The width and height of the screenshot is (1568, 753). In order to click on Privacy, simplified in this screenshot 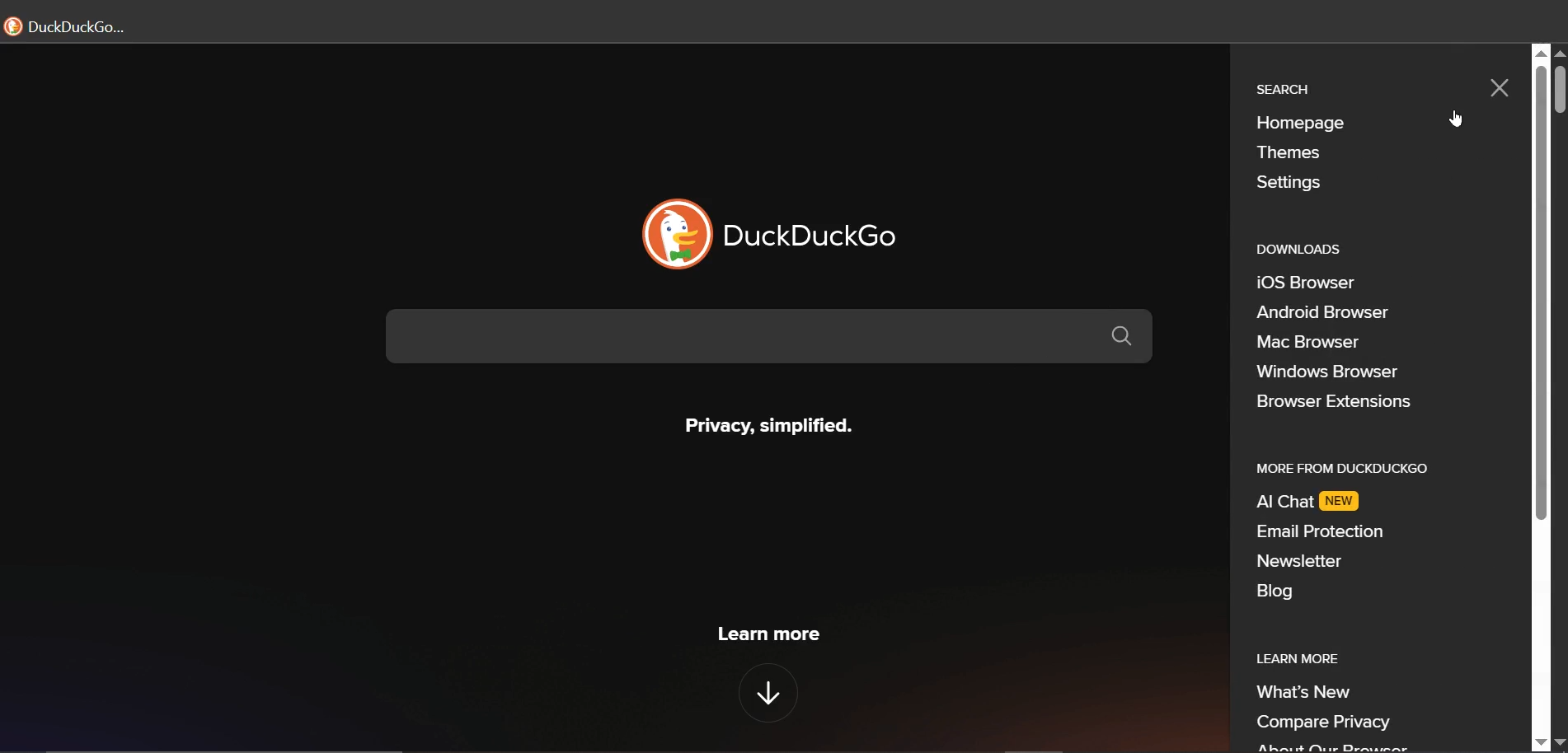, I will do `click(764, 422)`.